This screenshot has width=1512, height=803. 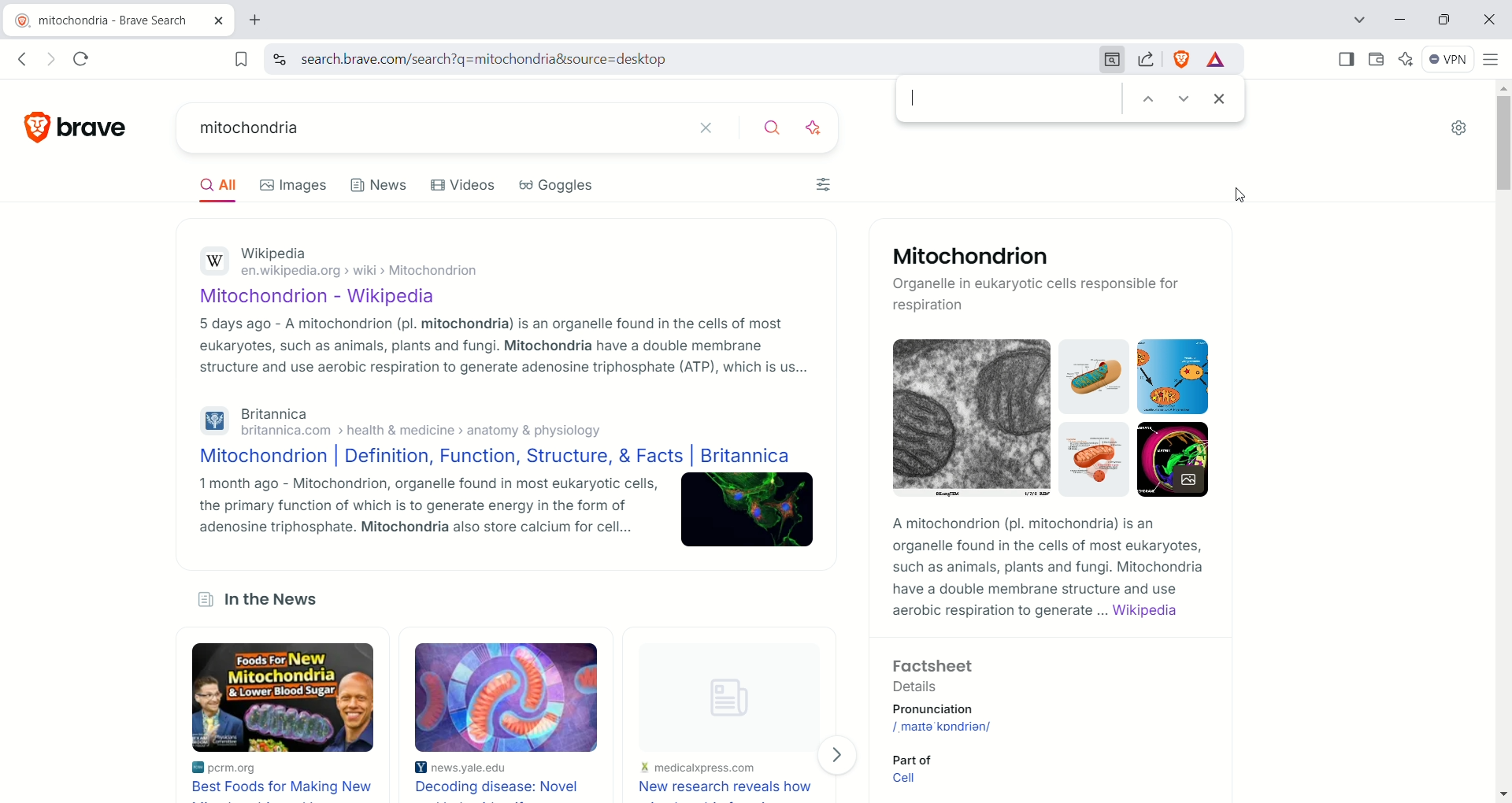 What do you see at coordinates (1406, 61) in the screenshot?
I see `leo AI` at bounding box center [1406, 61].